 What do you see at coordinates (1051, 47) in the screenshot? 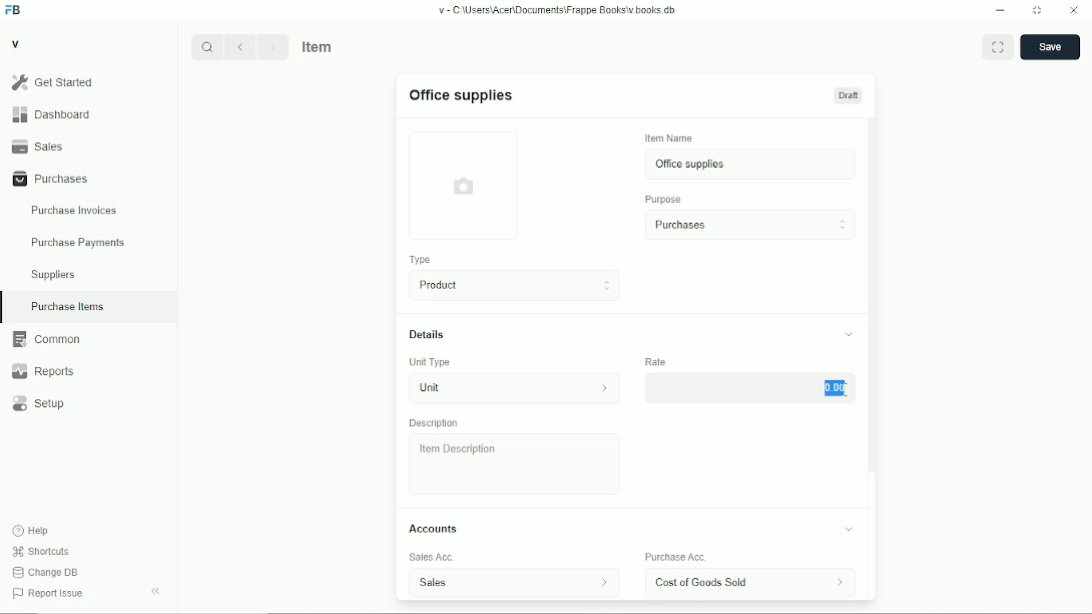
I see `save` at bounding box center [1051, 47].